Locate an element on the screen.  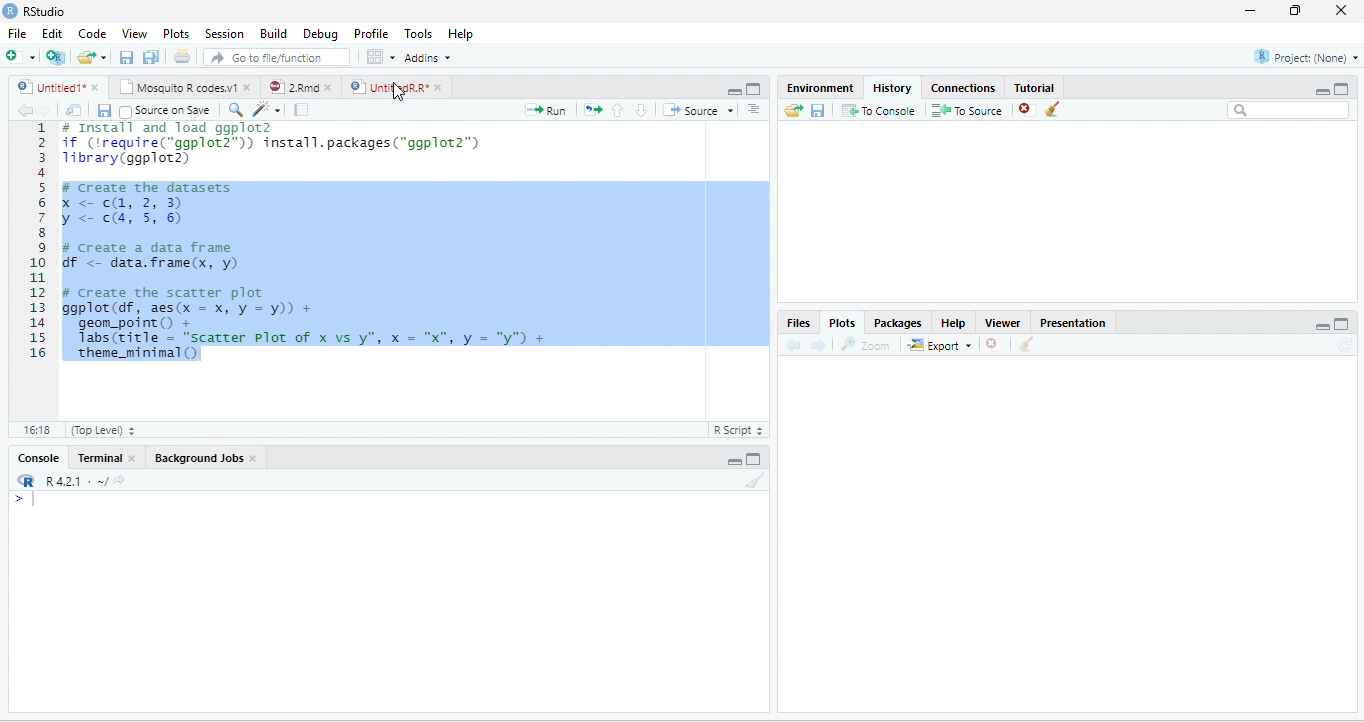
To Console is located at coordinates (879, 111).